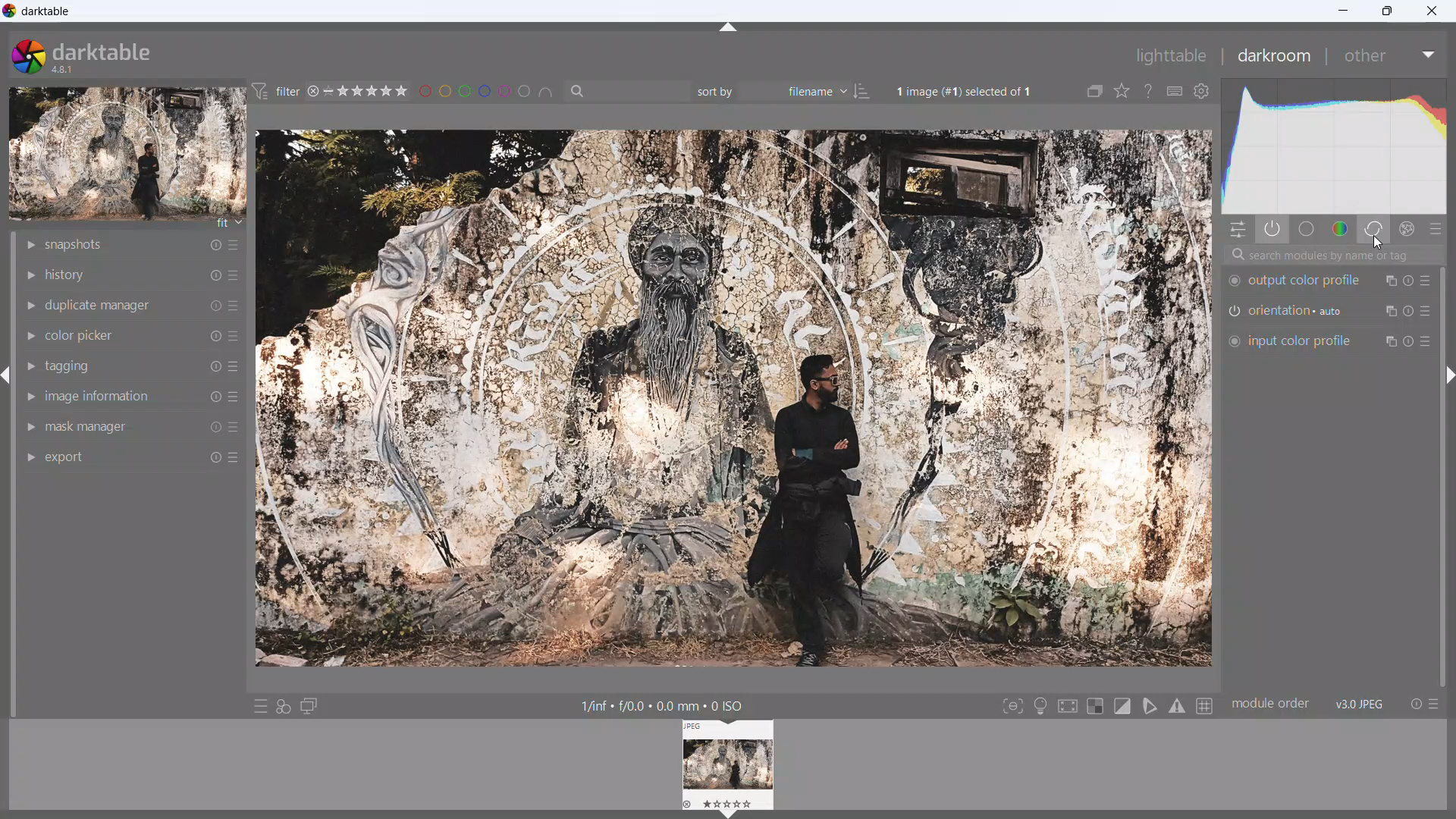 This screenshot has width=1456, height=819. I want to click on toggle clipping indication , so click(1122, 706).